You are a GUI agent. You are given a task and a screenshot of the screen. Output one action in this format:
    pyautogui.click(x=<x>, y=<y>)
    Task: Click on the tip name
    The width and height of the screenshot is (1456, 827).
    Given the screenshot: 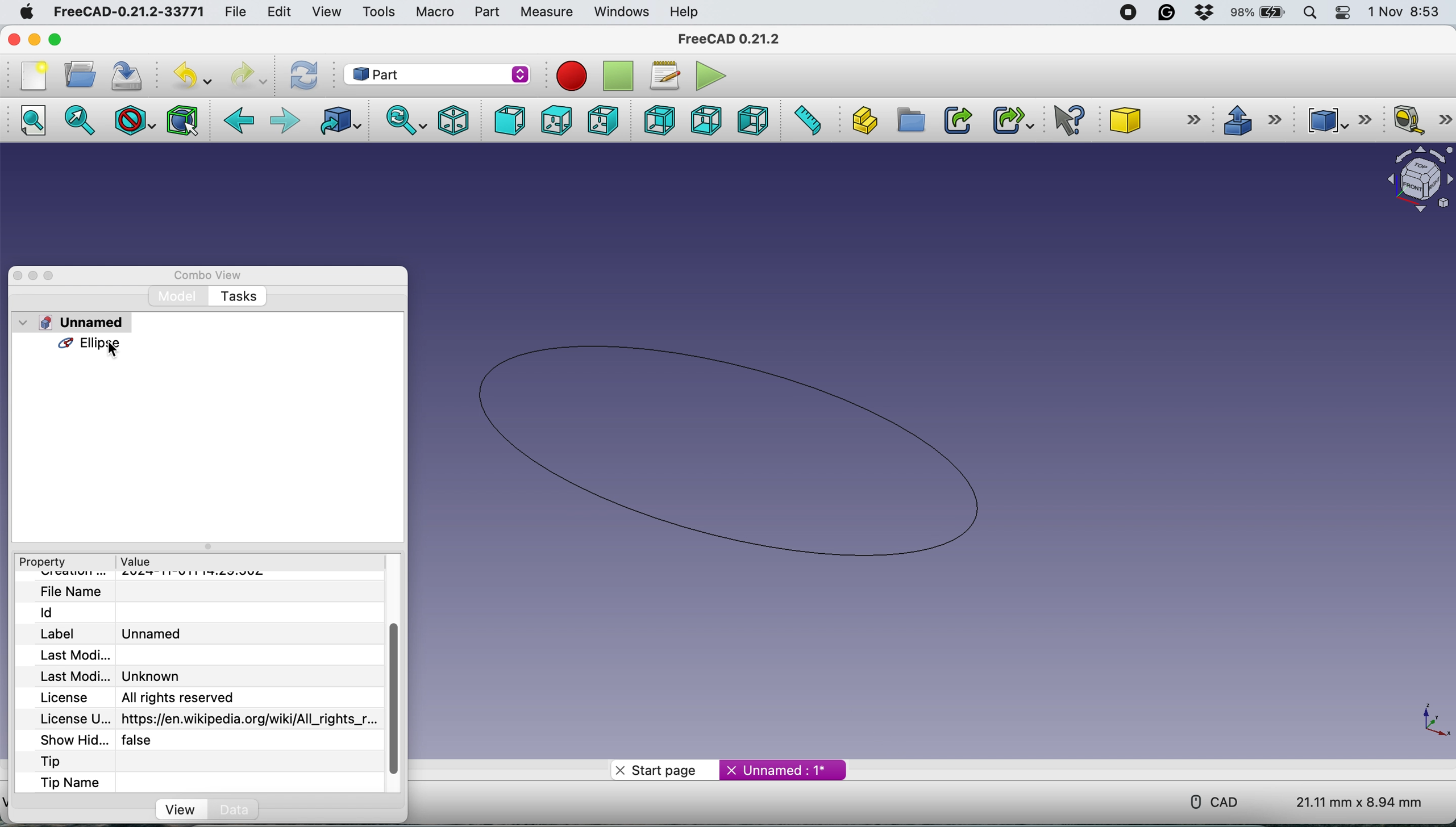 What is the action you would take?
    pyautogui.click(x=71, y=782)
    